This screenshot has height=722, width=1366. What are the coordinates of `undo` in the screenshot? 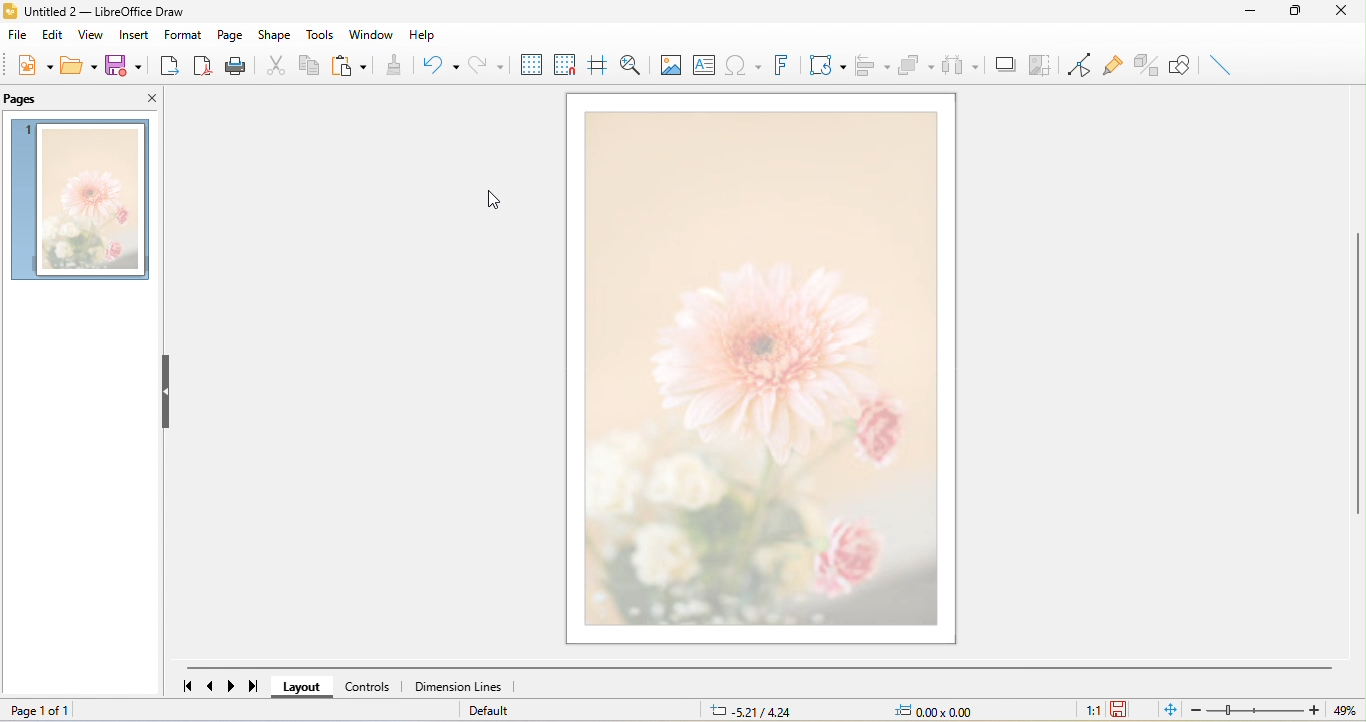 It's located at (435, 64).